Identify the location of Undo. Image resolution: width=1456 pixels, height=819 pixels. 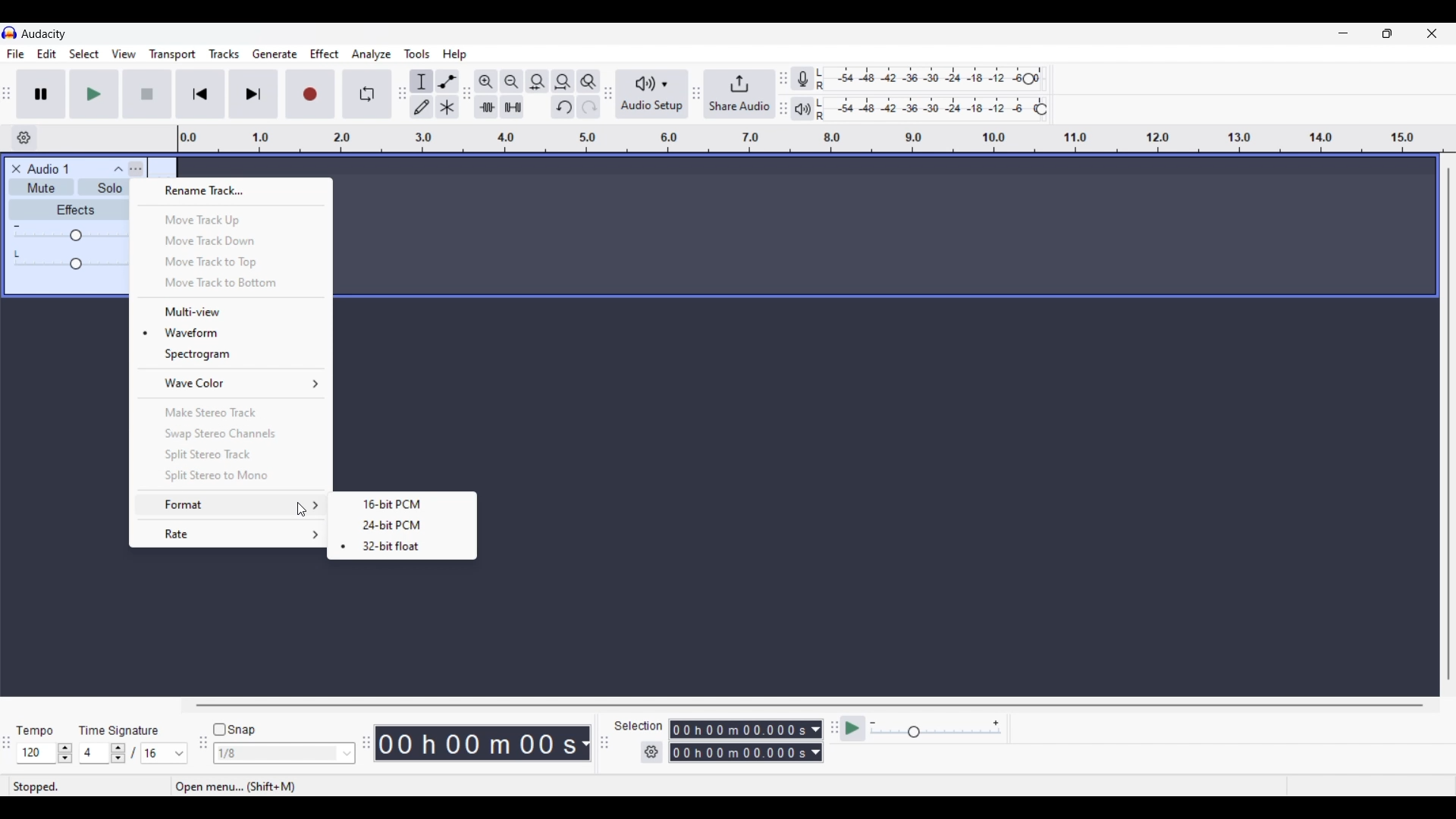
(563, 107).